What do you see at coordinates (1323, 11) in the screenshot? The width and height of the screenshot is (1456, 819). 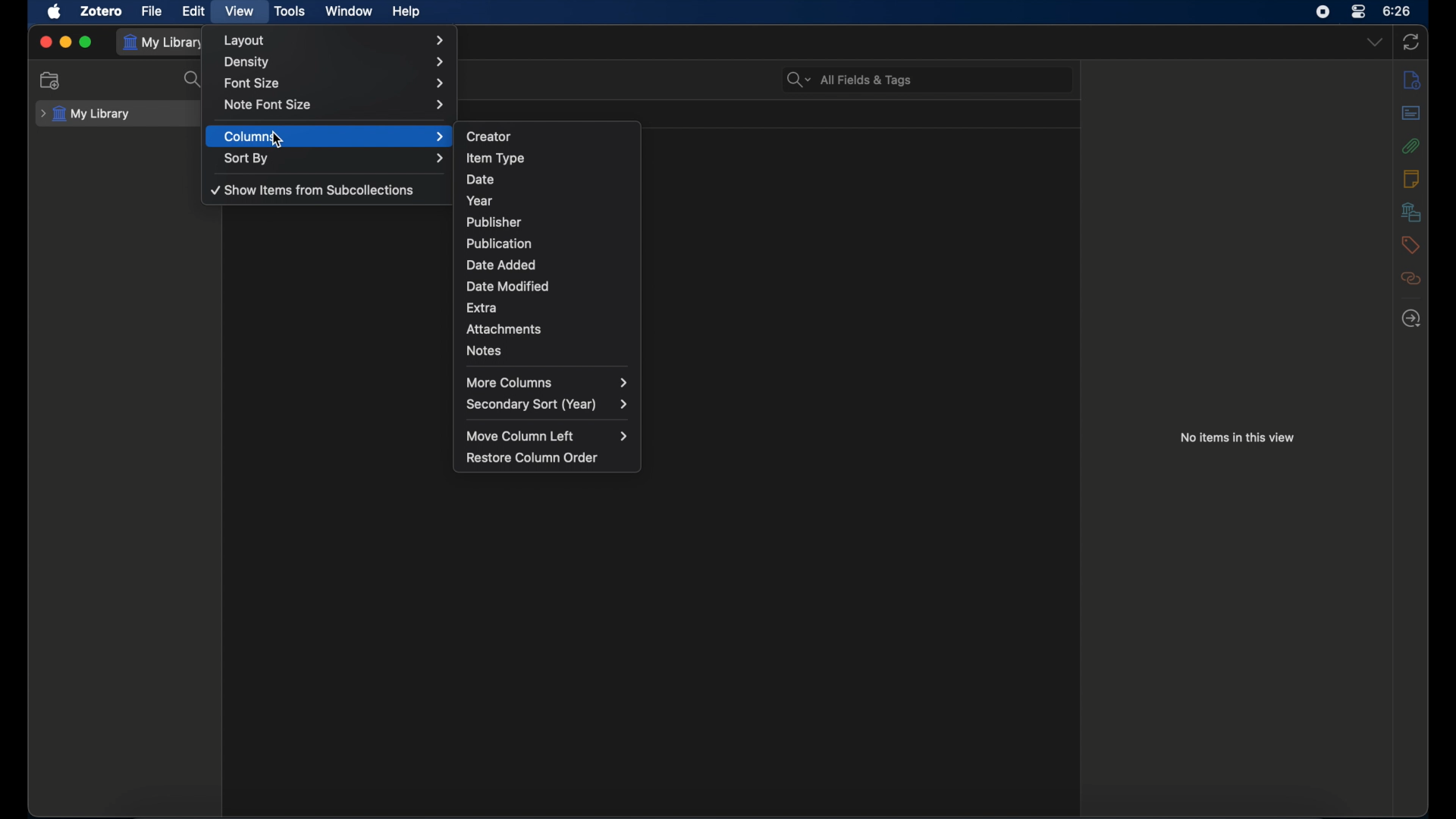 I see `screen recorder` at bounding box center [1323, 11].